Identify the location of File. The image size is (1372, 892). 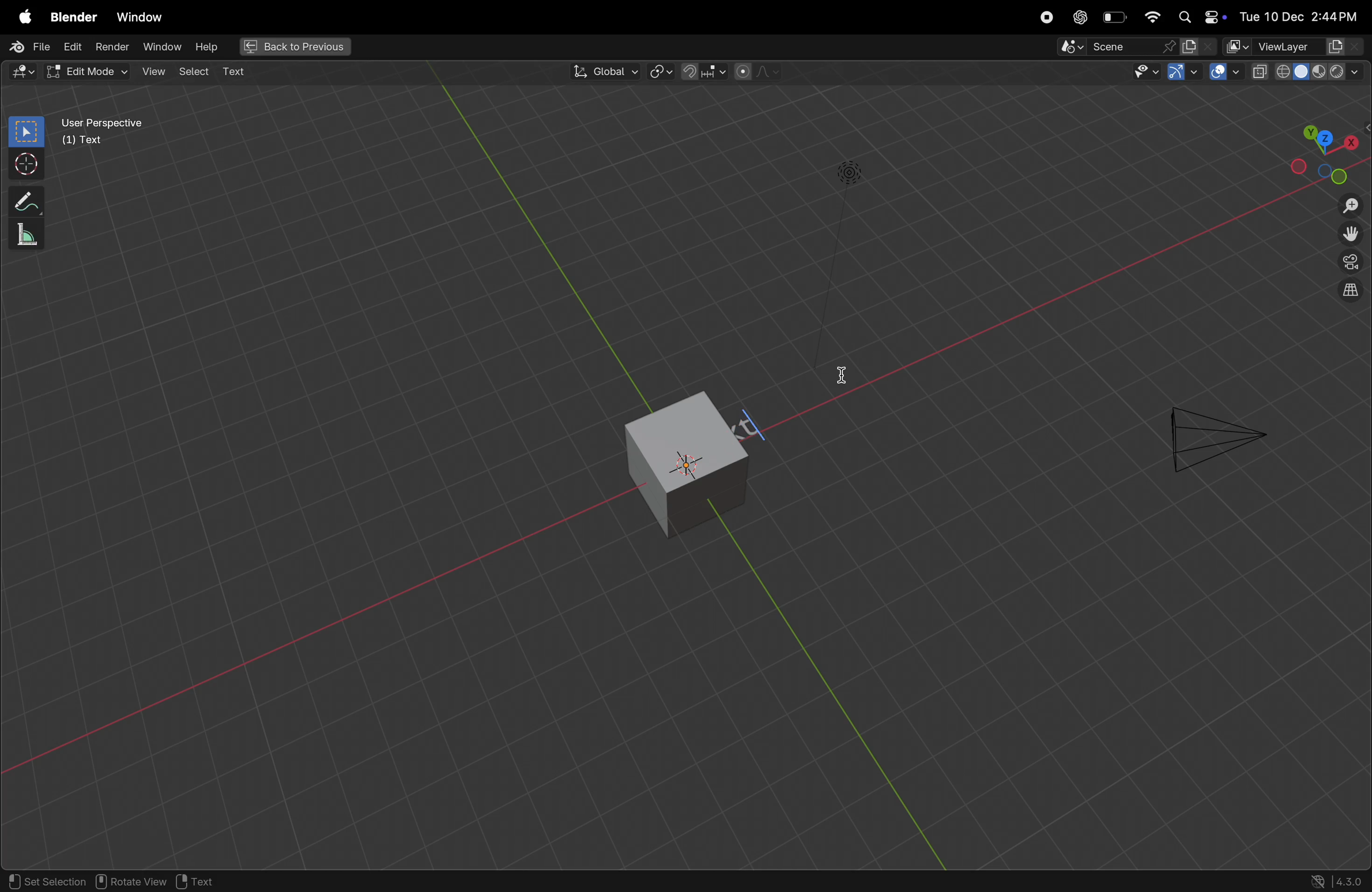
(31, 46).